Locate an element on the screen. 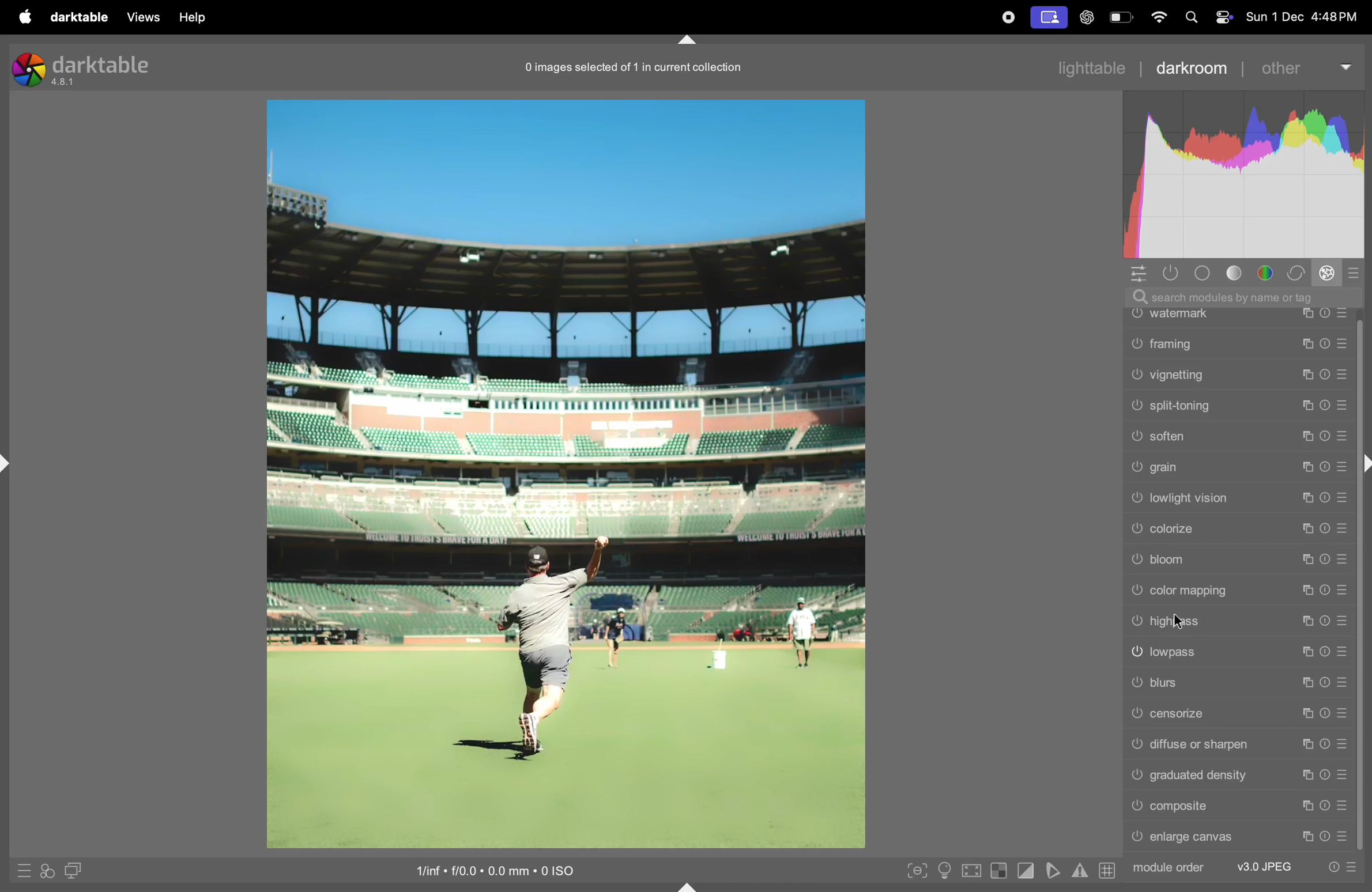  options is located at coordinates (1141, 274).